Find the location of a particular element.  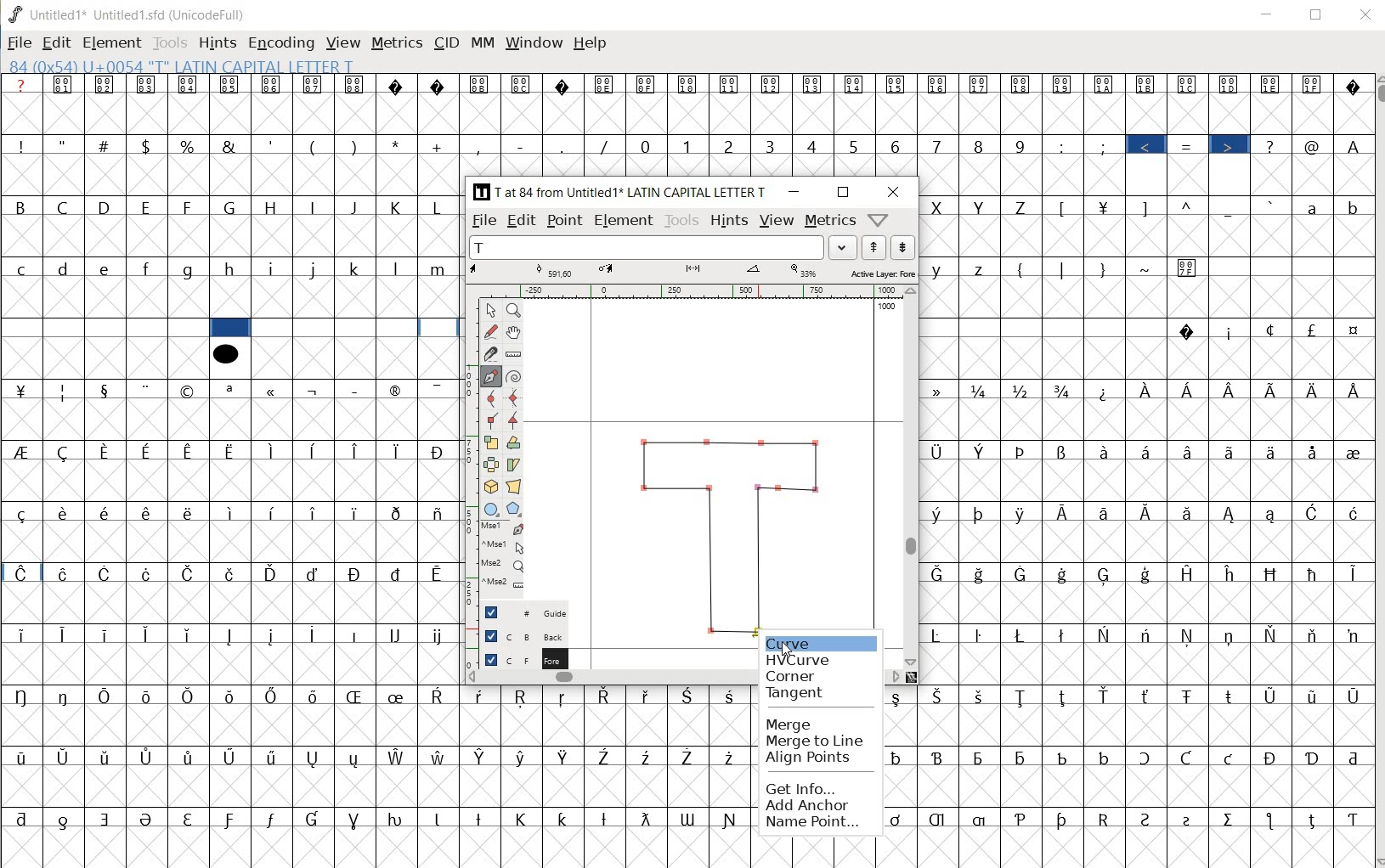

Symbol is located at coordinates (1185, 758).